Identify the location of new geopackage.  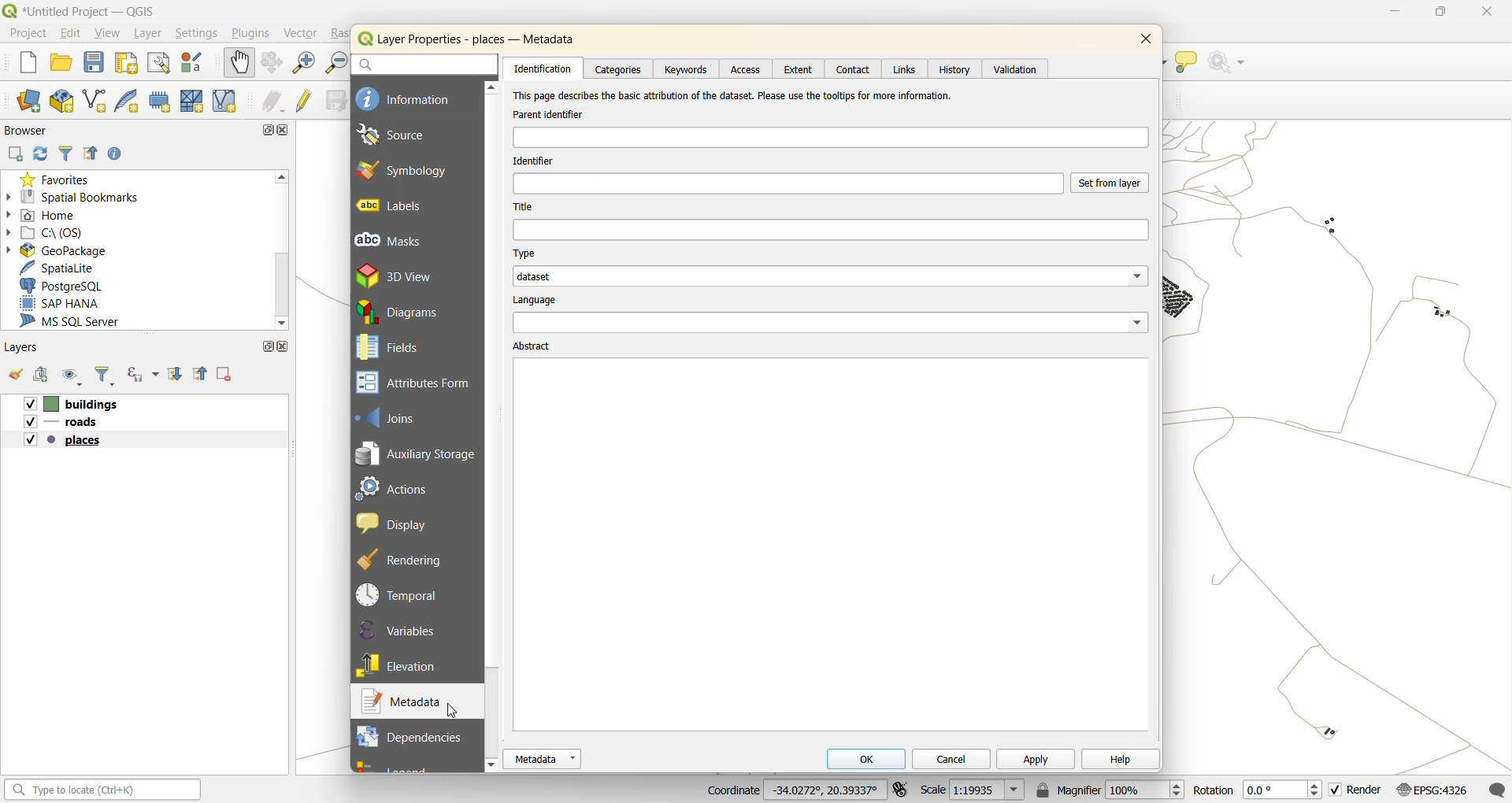
(67, 102).